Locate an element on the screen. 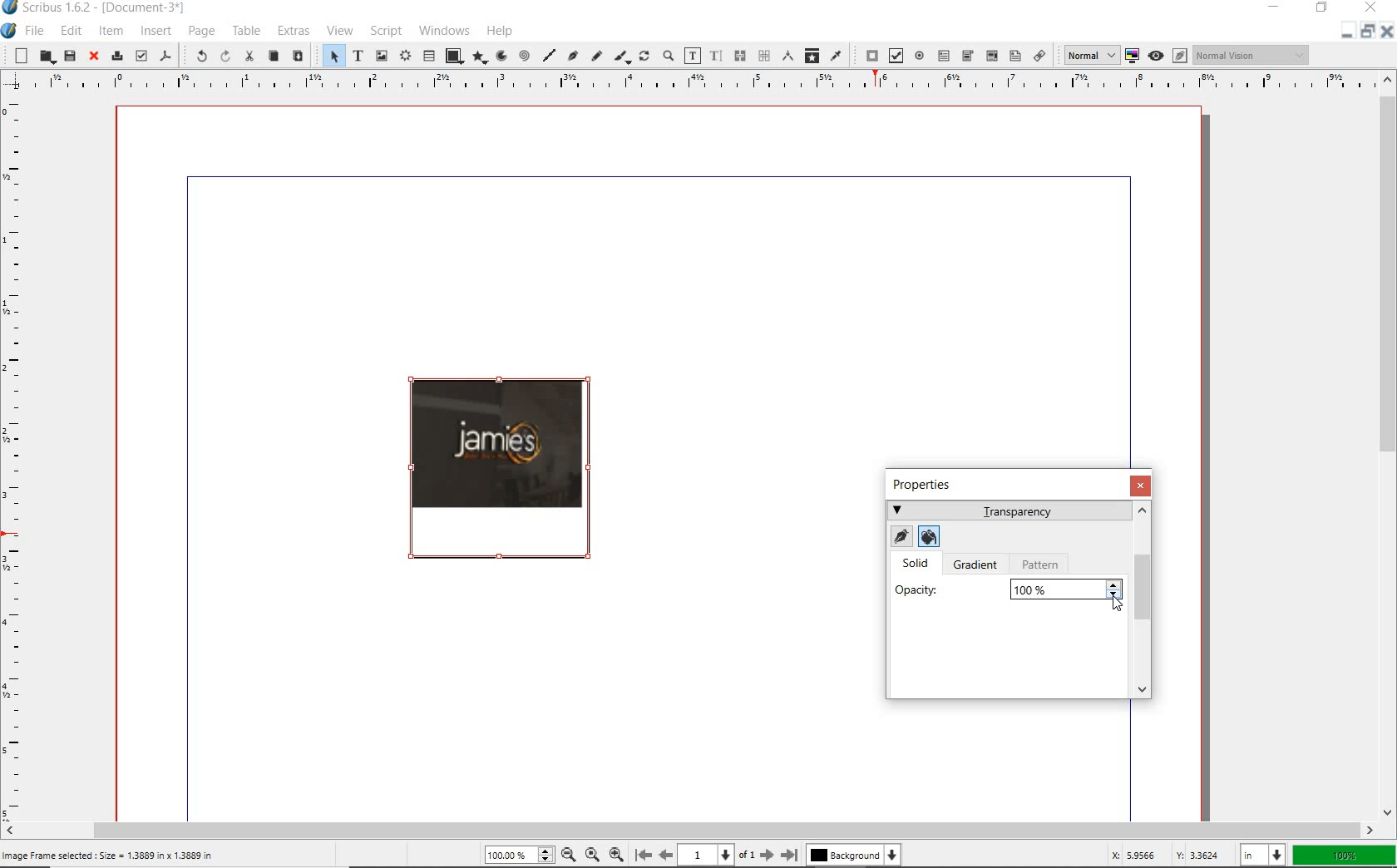 The image size is (1397, 868). close is located at coordinates (1387, 31).